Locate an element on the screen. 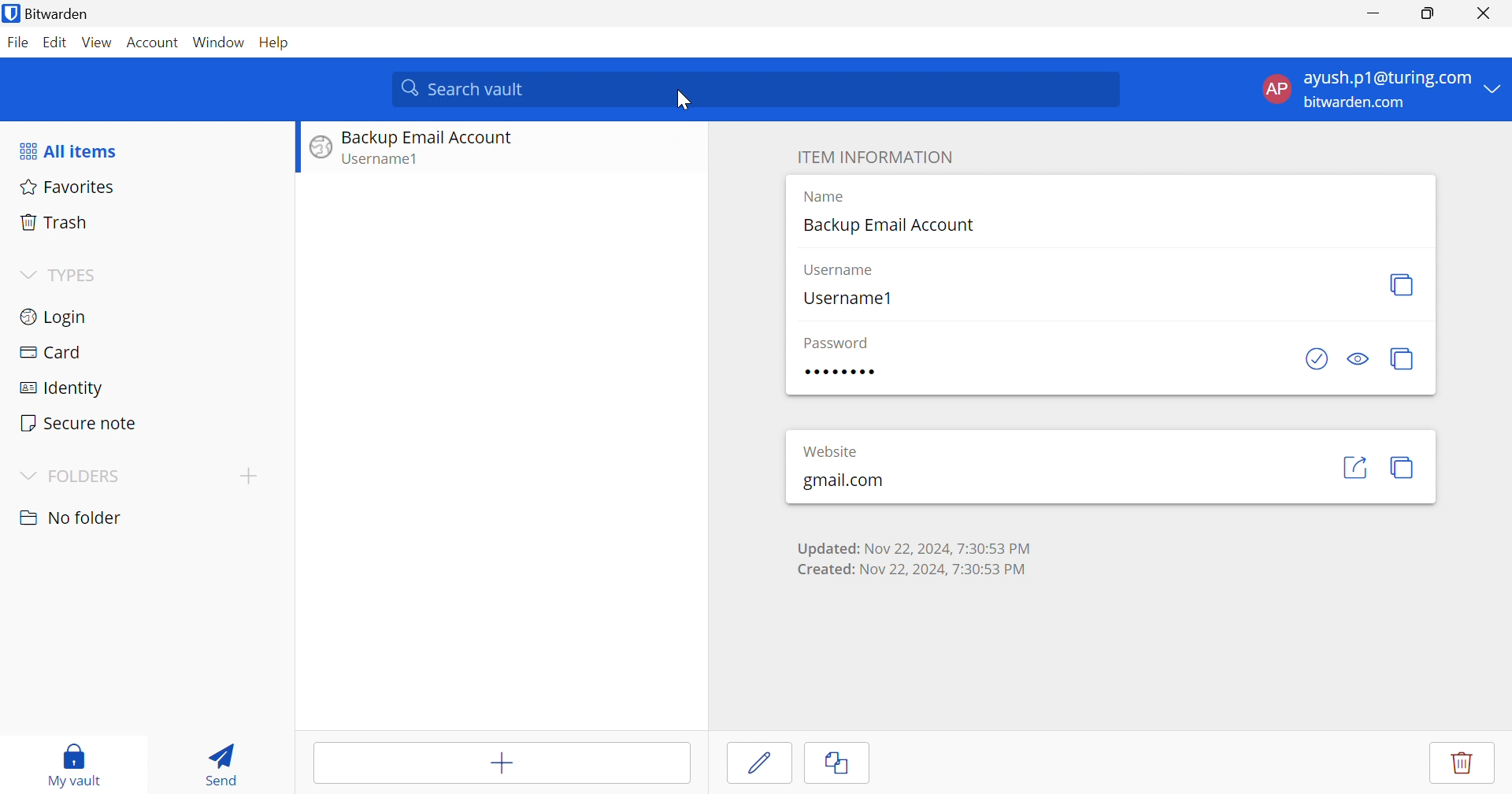  All items is located at coordinates (70, 150).